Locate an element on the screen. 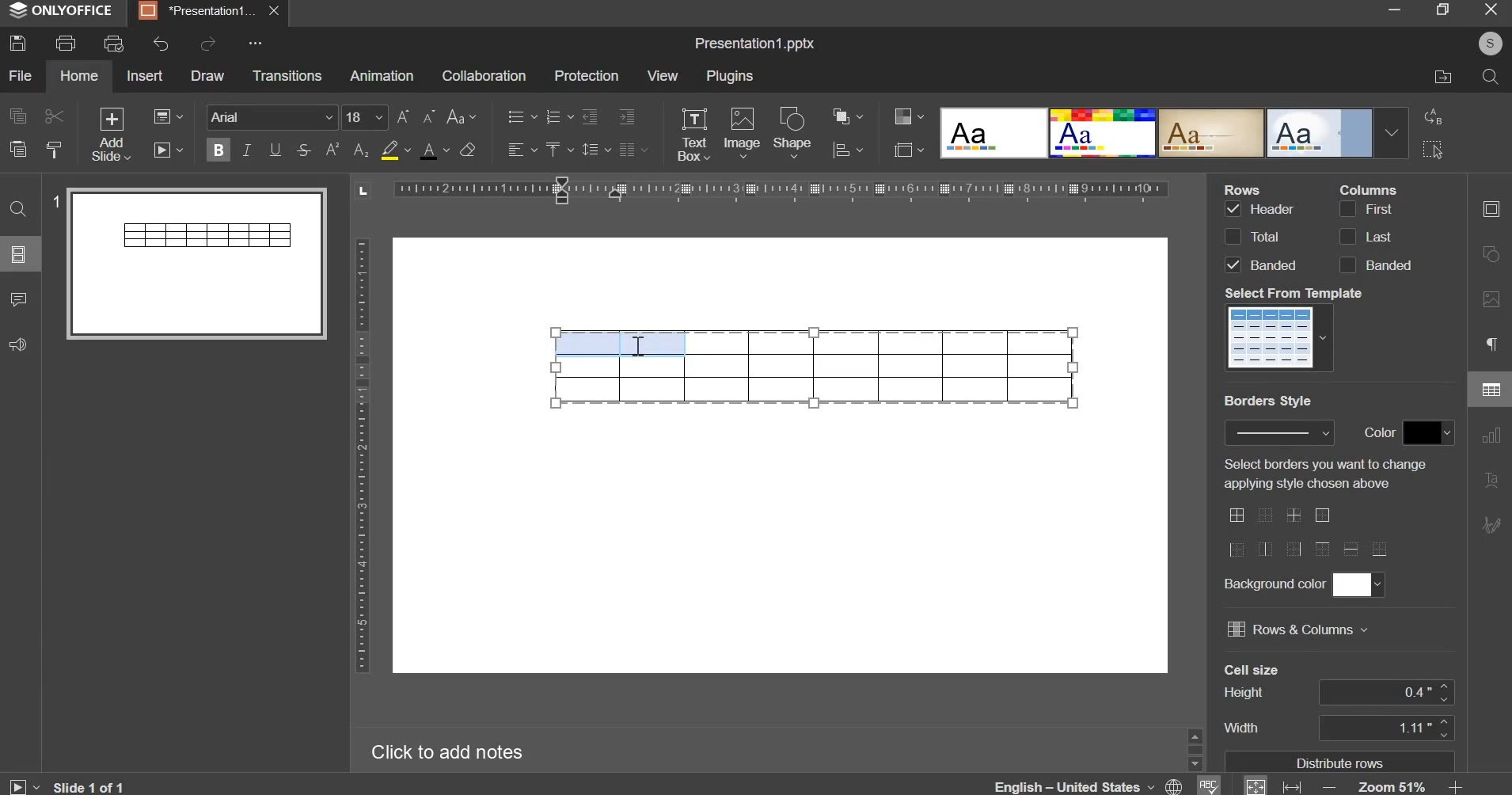  language & spelling is located at coordinates (1107, 784).